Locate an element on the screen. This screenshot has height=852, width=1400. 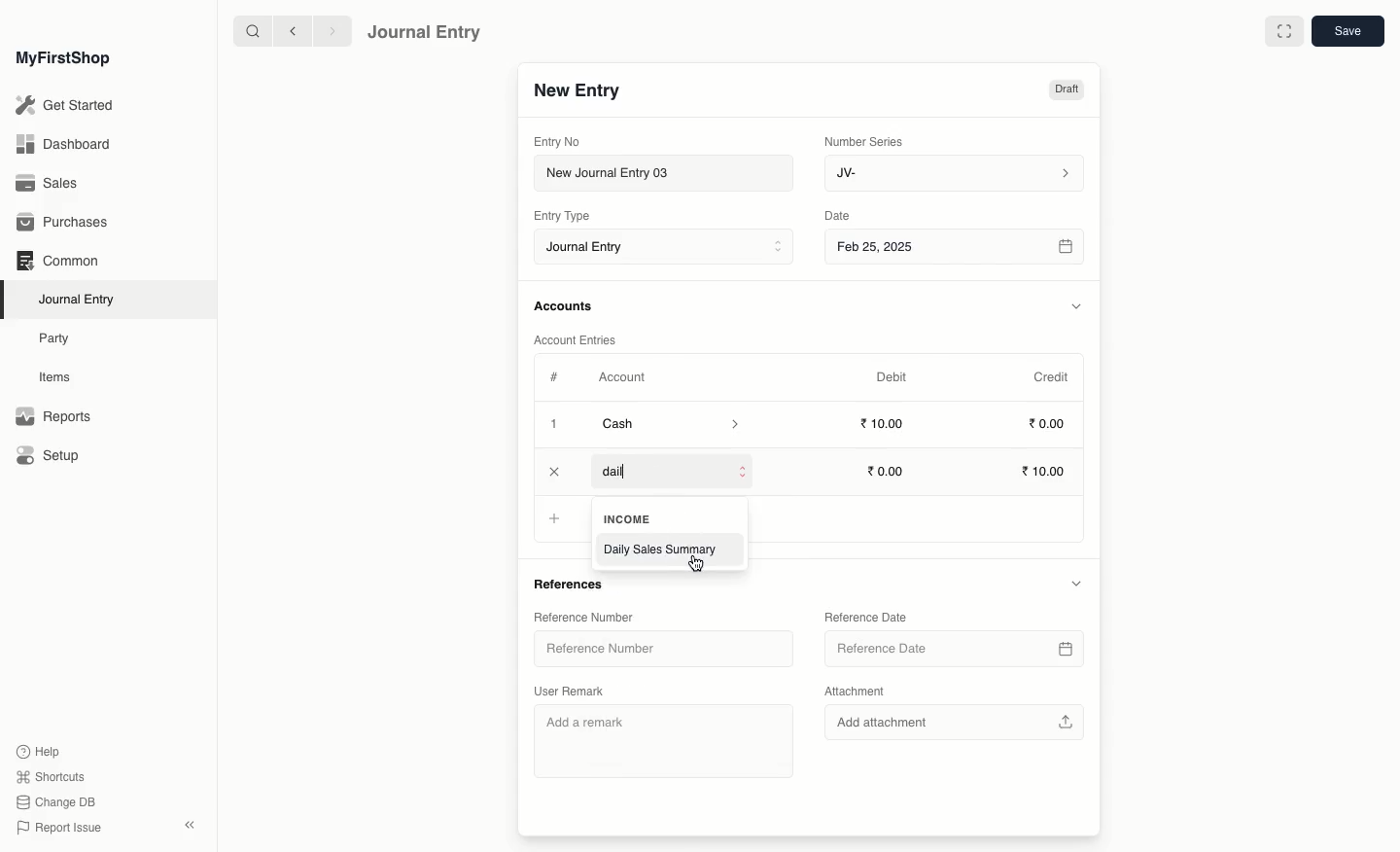
Attachment is located at coordinates (856, 692).